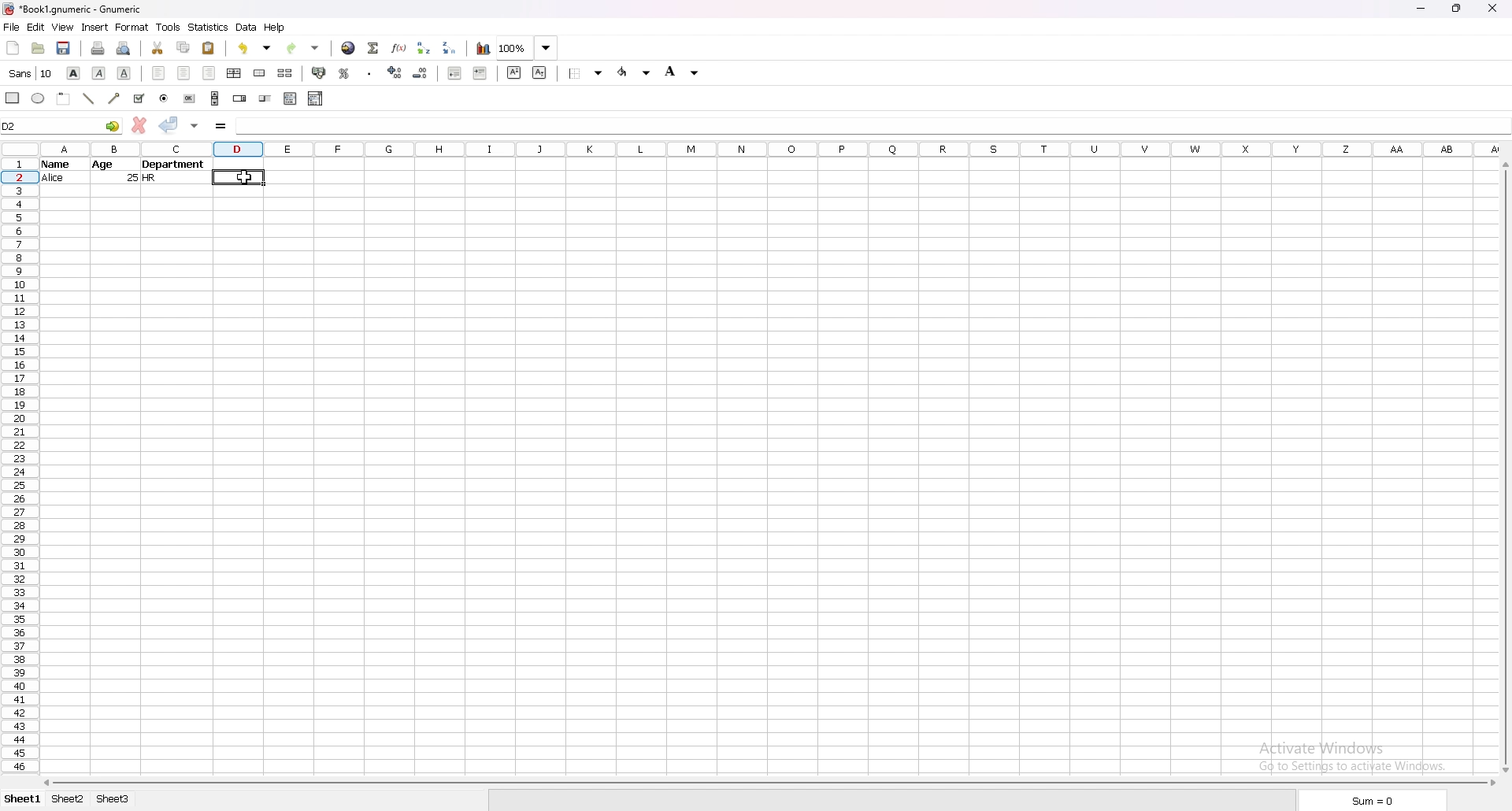 The image size is (1512, 811). What do you see at coordinates (39, 98) in the screenshot?
I see `ellipse` at bounding box center [39, 98].